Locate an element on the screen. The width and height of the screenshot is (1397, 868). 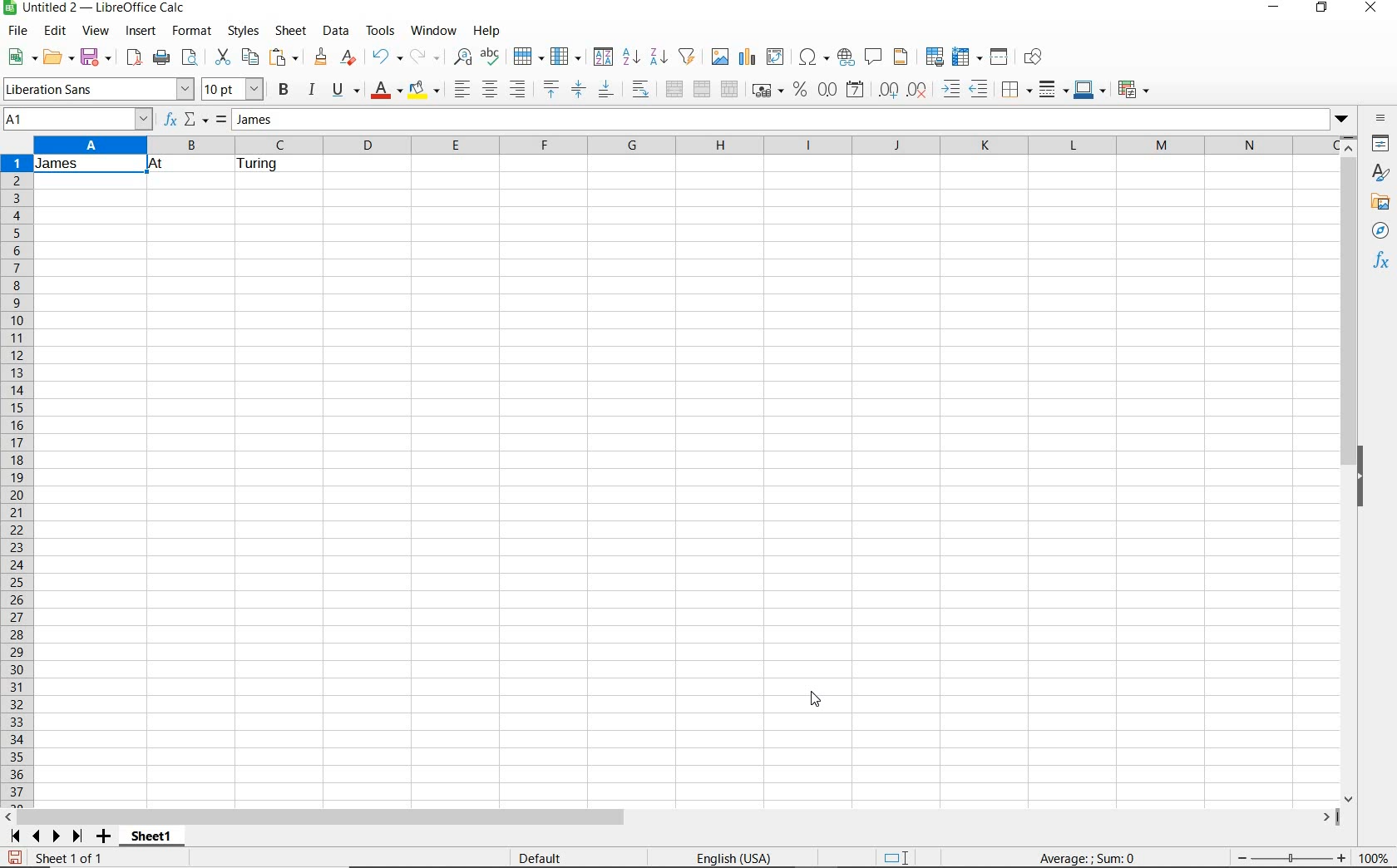
save is located at coordinates (14, 856).